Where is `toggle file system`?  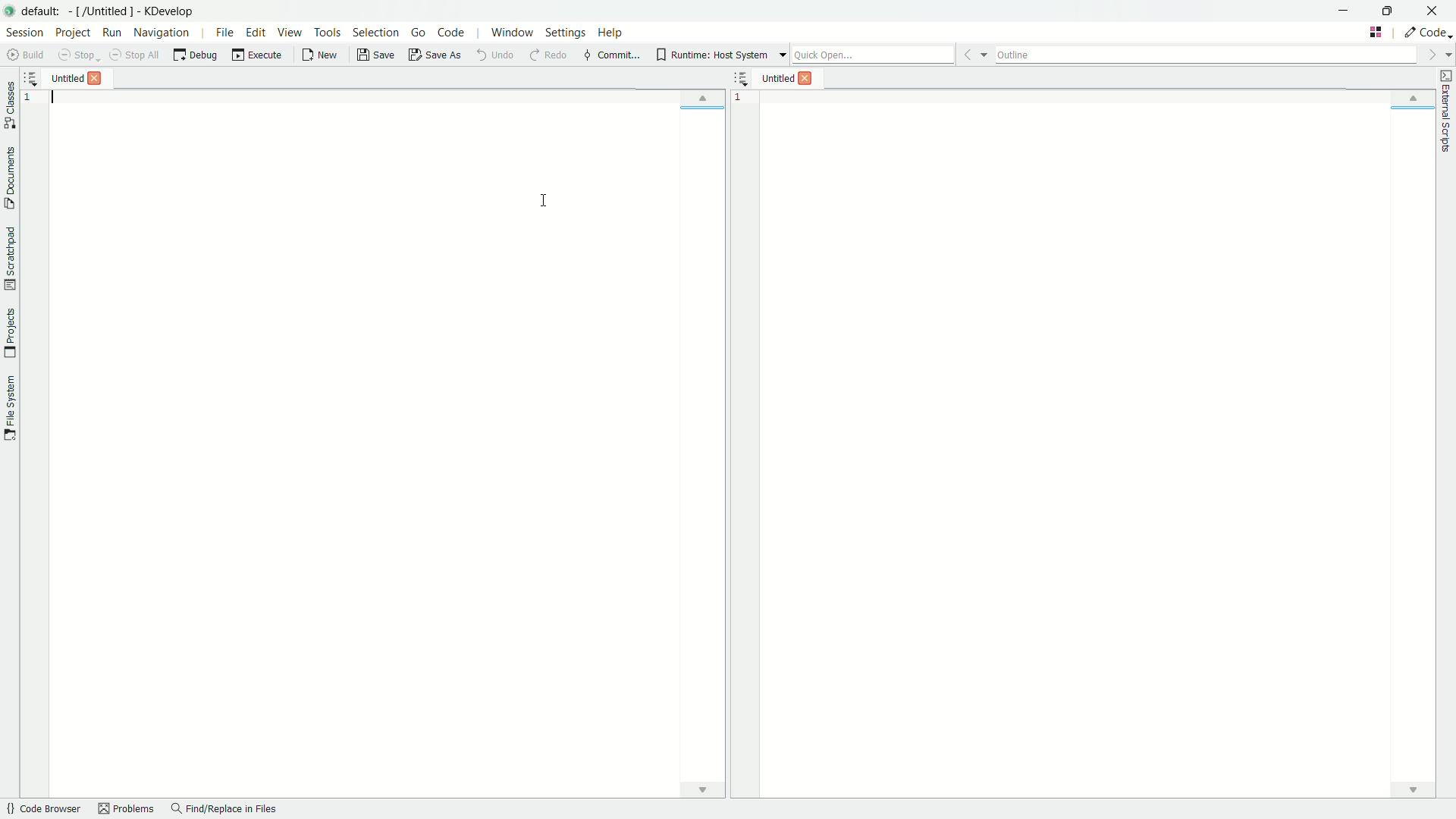 toggle file system is located at coordinates (9, 411).